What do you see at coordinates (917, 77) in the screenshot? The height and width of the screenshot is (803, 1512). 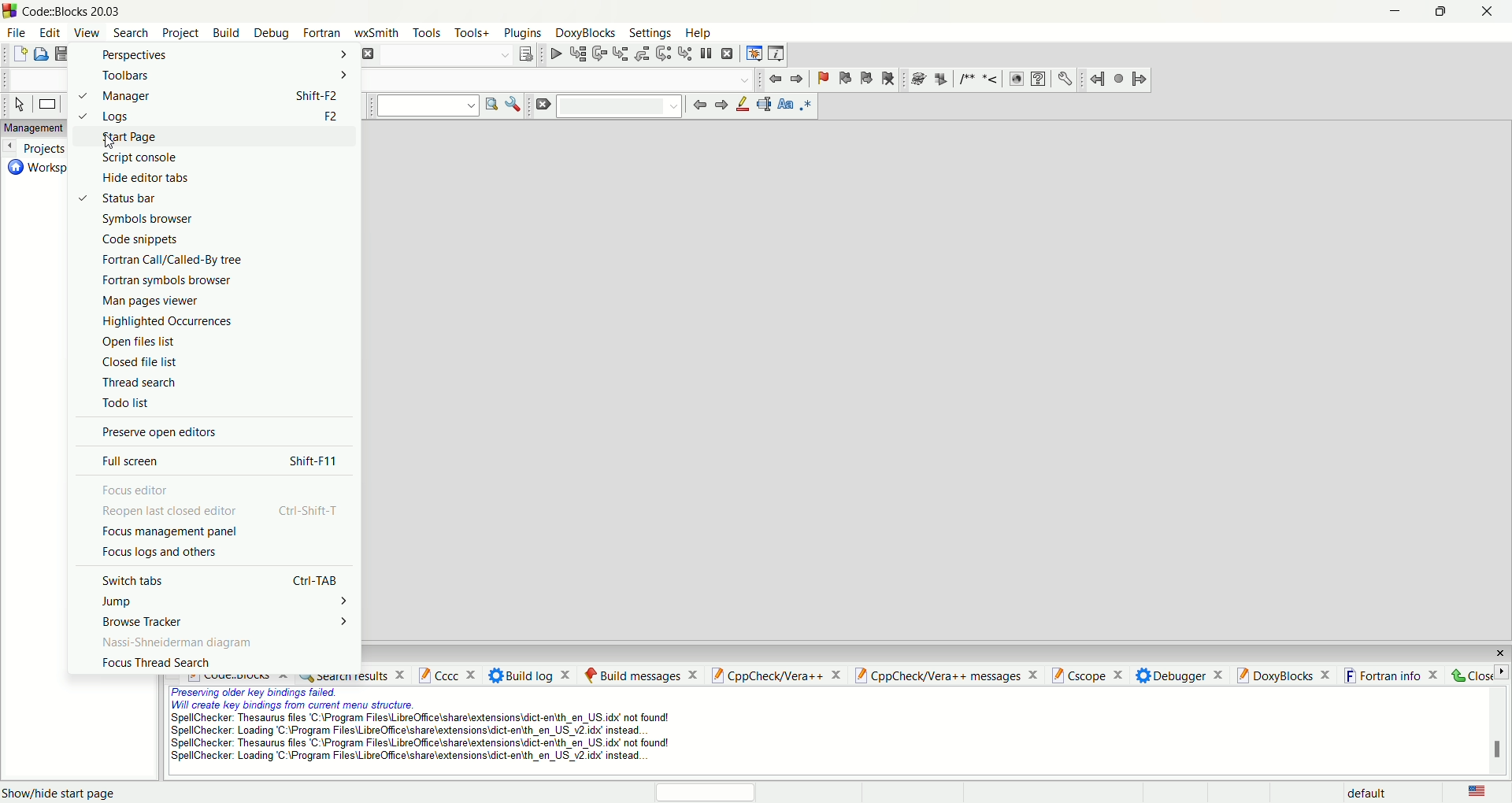 I see `Run doxywizard` at bounding box center [917, 77].